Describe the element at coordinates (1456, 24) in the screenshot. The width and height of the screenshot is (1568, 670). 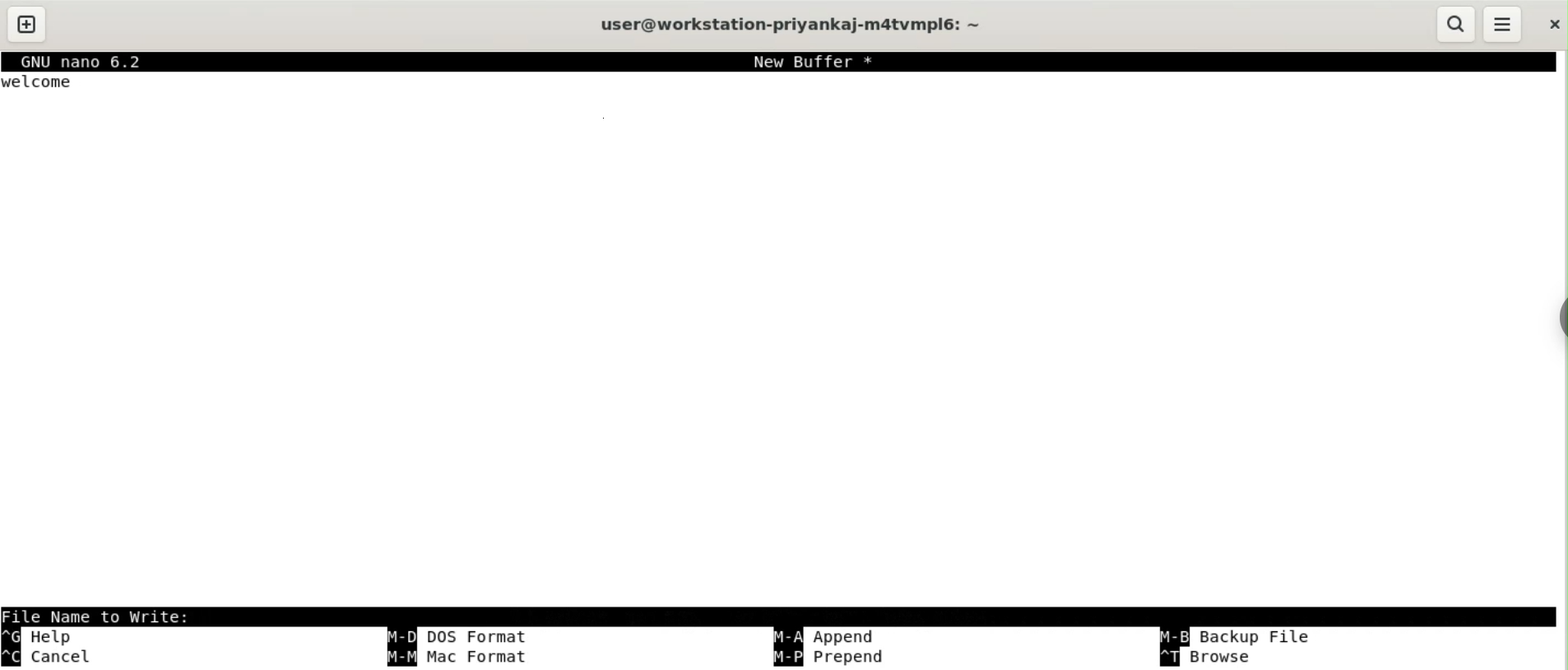
I see `search` at that location.